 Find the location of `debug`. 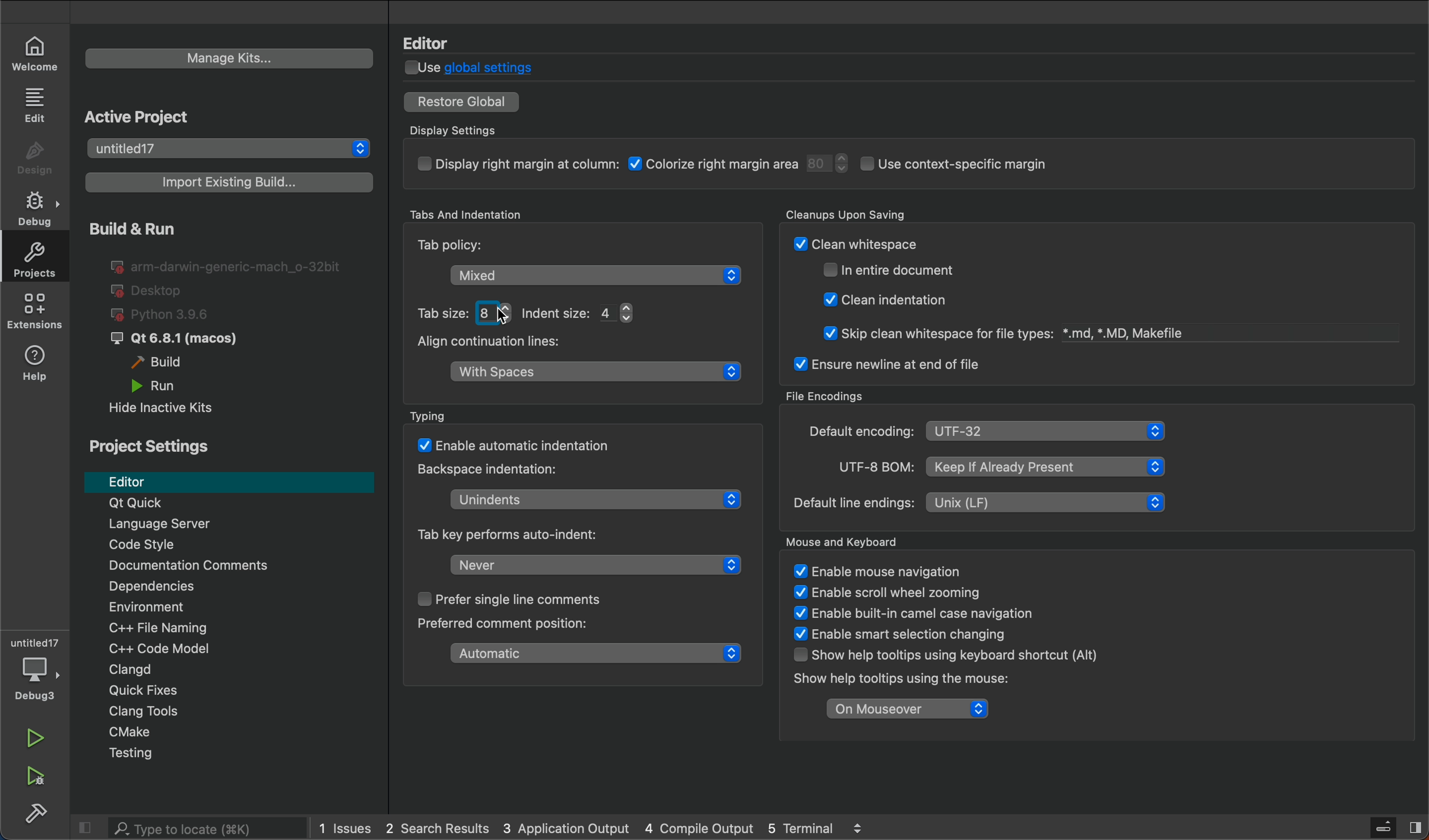

debug is located at coordinates (40, 207).